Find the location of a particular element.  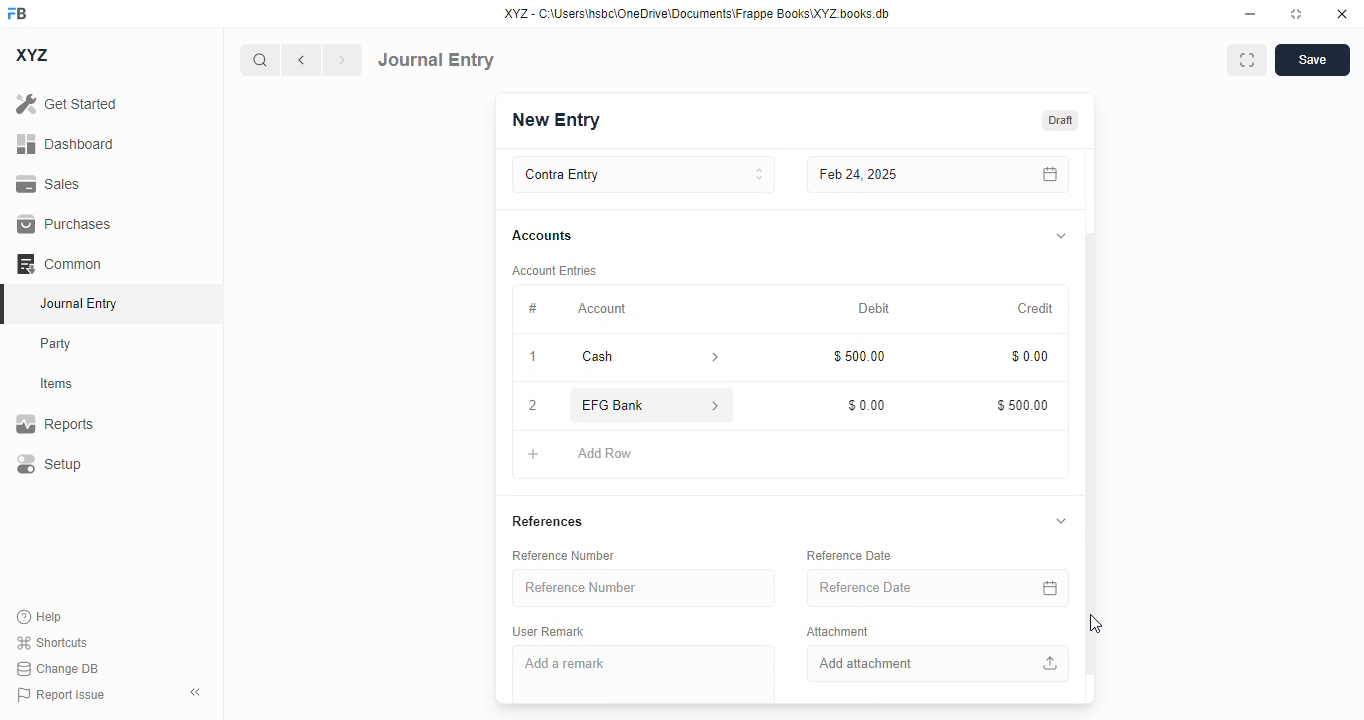

account is located at coordinates (602, 309).